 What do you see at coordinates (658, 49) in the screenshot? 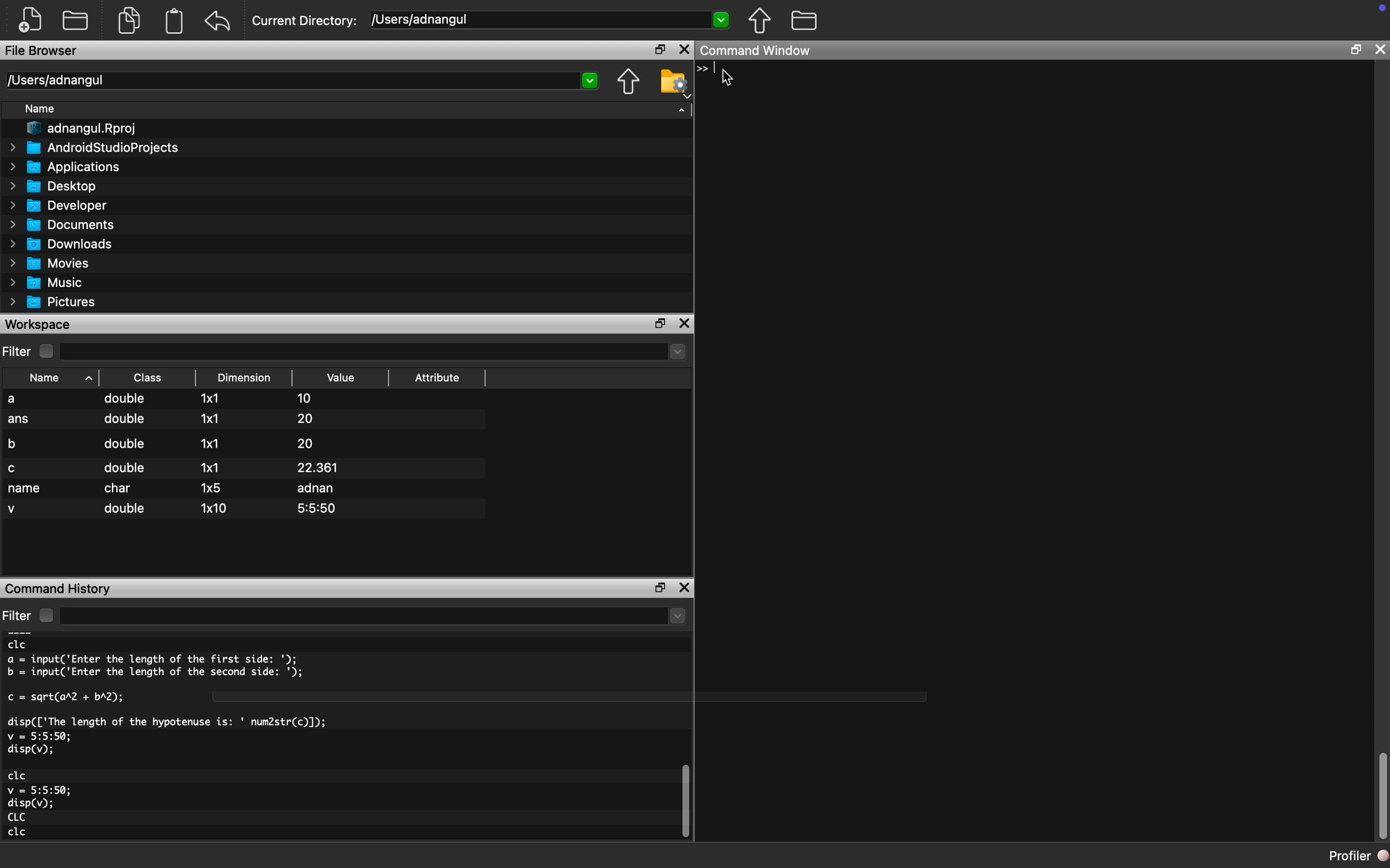
I see `Restore` at bounding box center [658, 49].